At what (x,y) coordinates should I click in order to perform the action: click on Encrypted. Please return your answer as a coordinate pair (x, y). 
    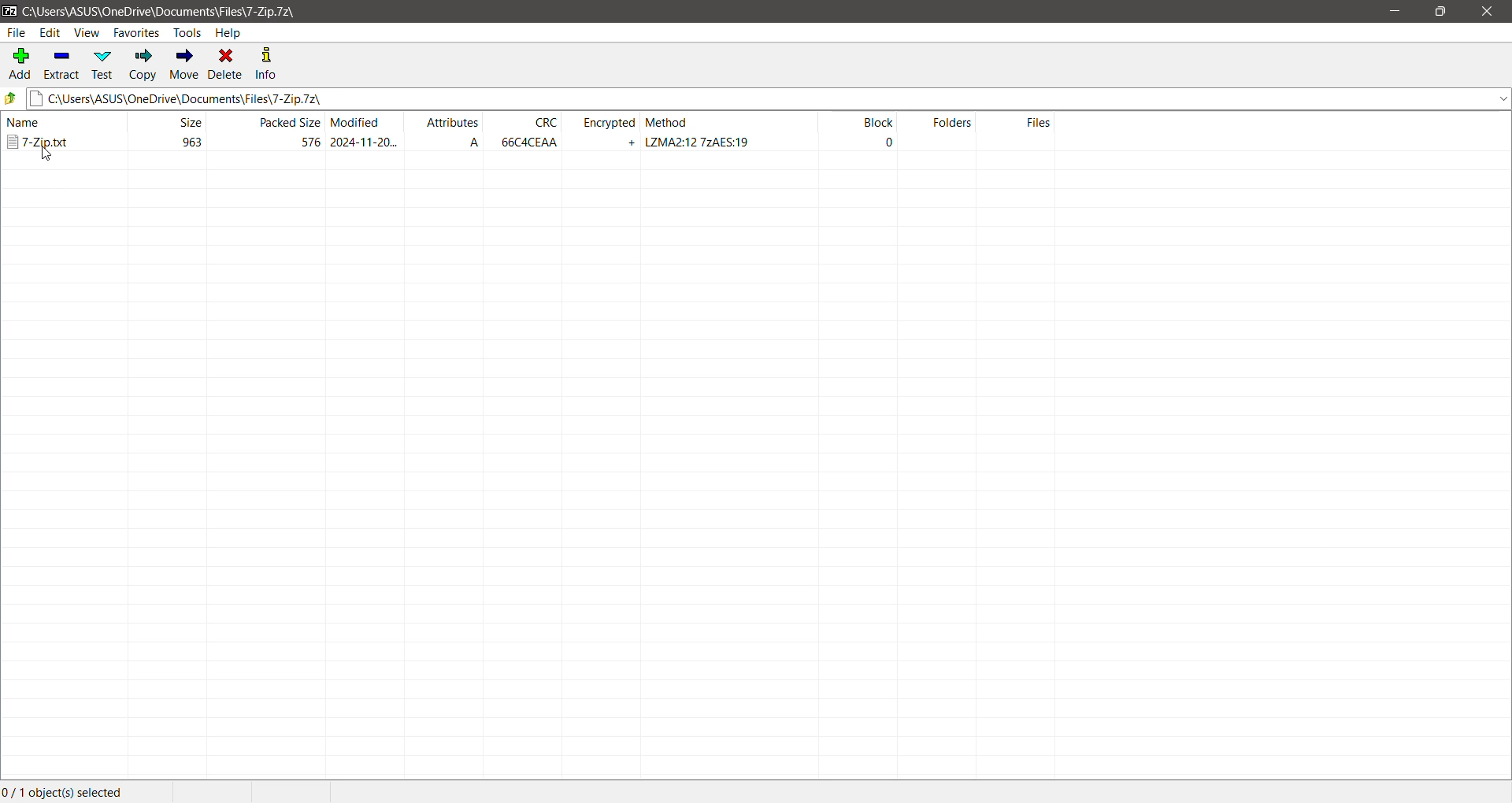
    Looking at the image, I should click on (606, 131).